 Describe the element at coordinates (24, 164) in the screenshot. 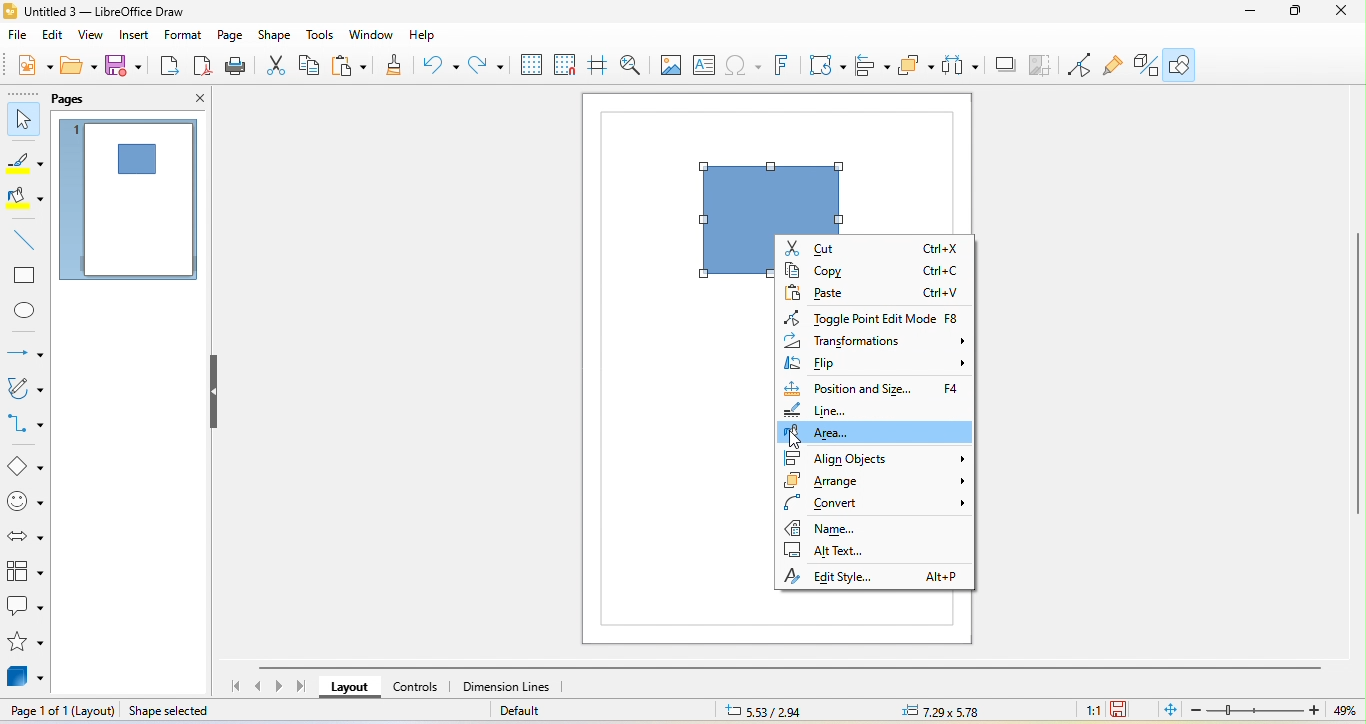

I see `line color` at that location.